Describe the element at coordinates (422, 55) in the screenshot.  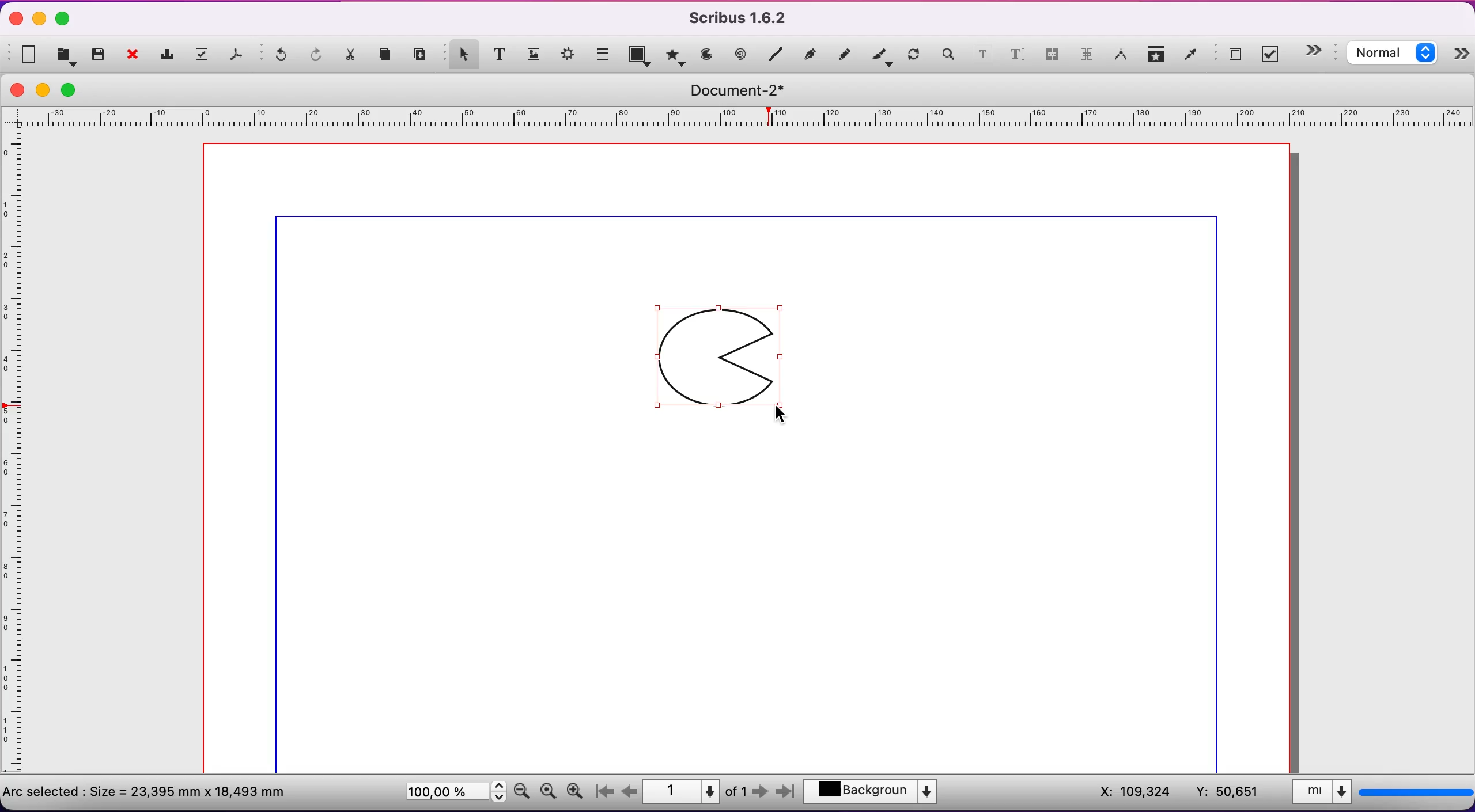
I see `paste` at that location.